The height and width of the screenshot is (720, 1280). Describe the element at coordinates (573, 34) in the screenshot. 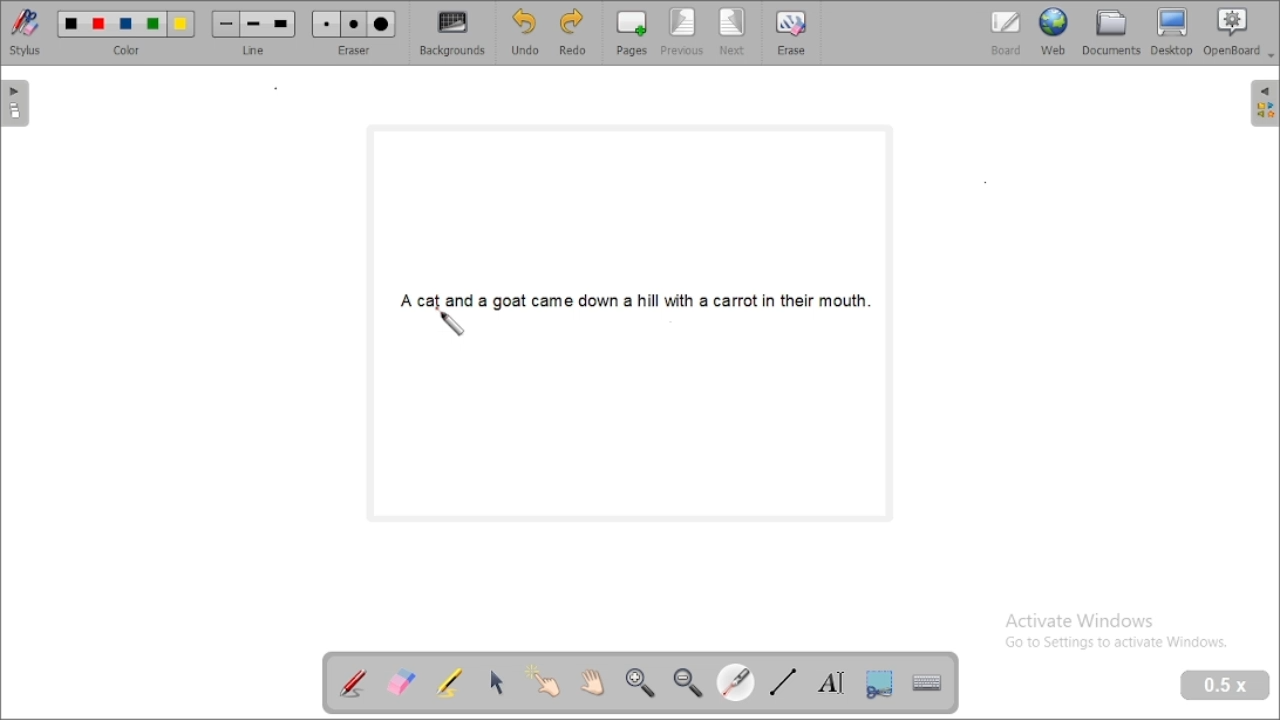

I see `redo` at that location.